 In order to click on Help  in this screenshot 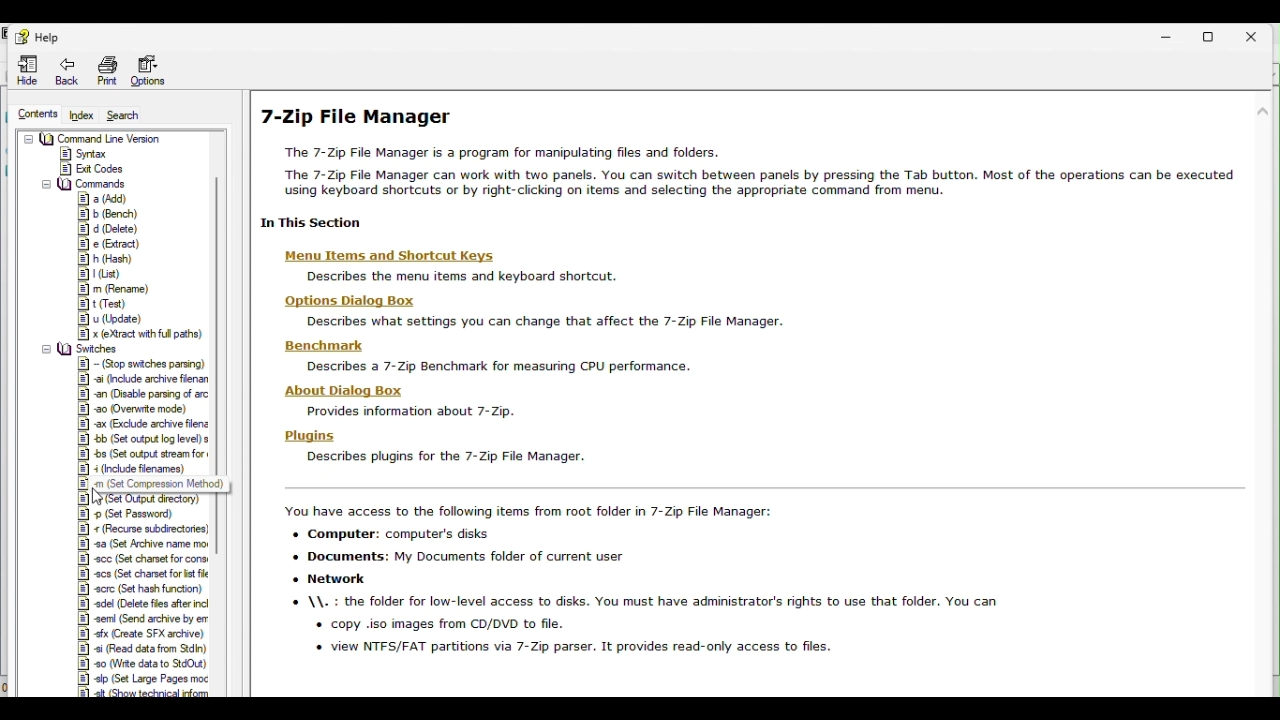, I will do `click(43, 35)`.